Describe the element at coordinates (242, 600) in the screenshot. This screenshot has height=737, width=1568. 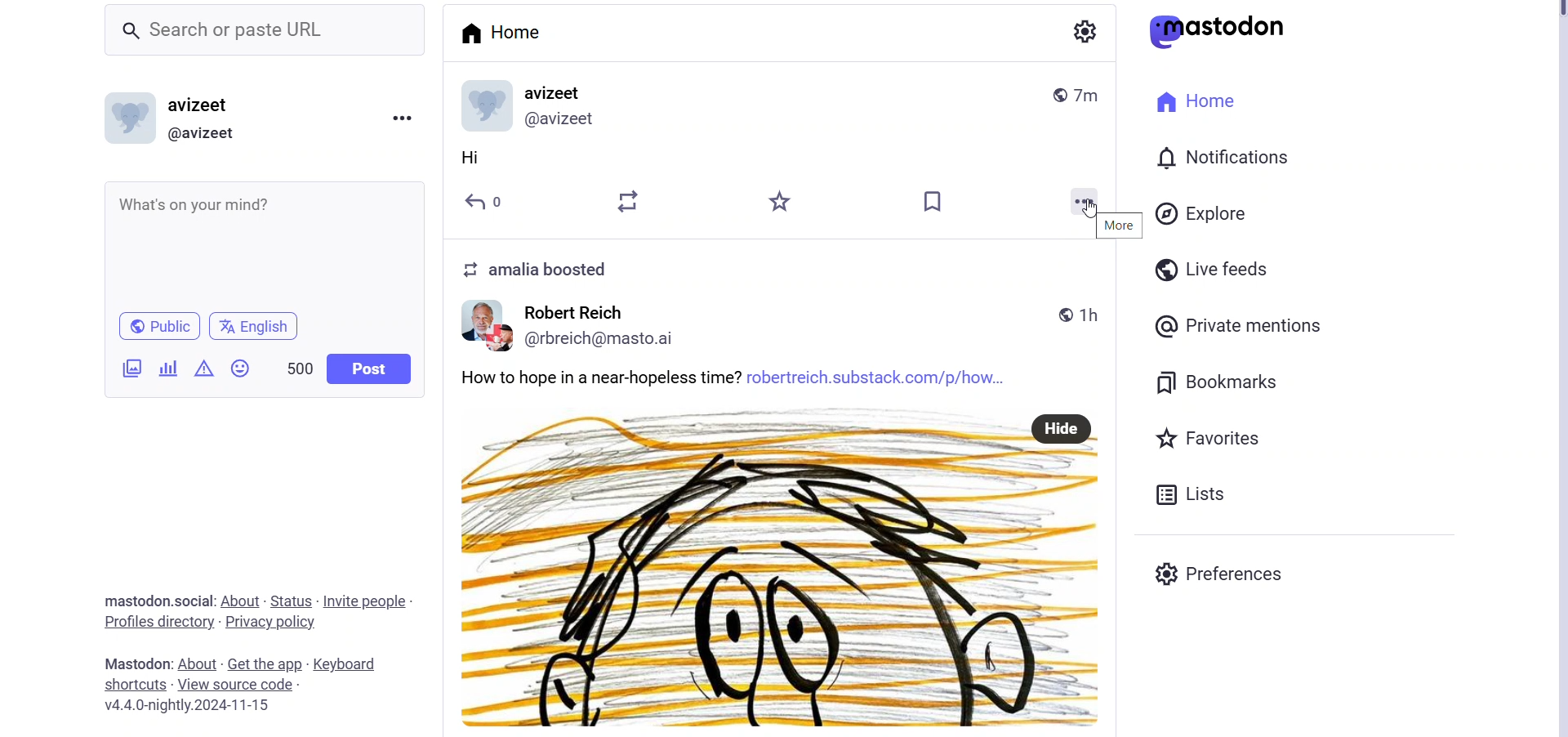
I see `About` at that location.